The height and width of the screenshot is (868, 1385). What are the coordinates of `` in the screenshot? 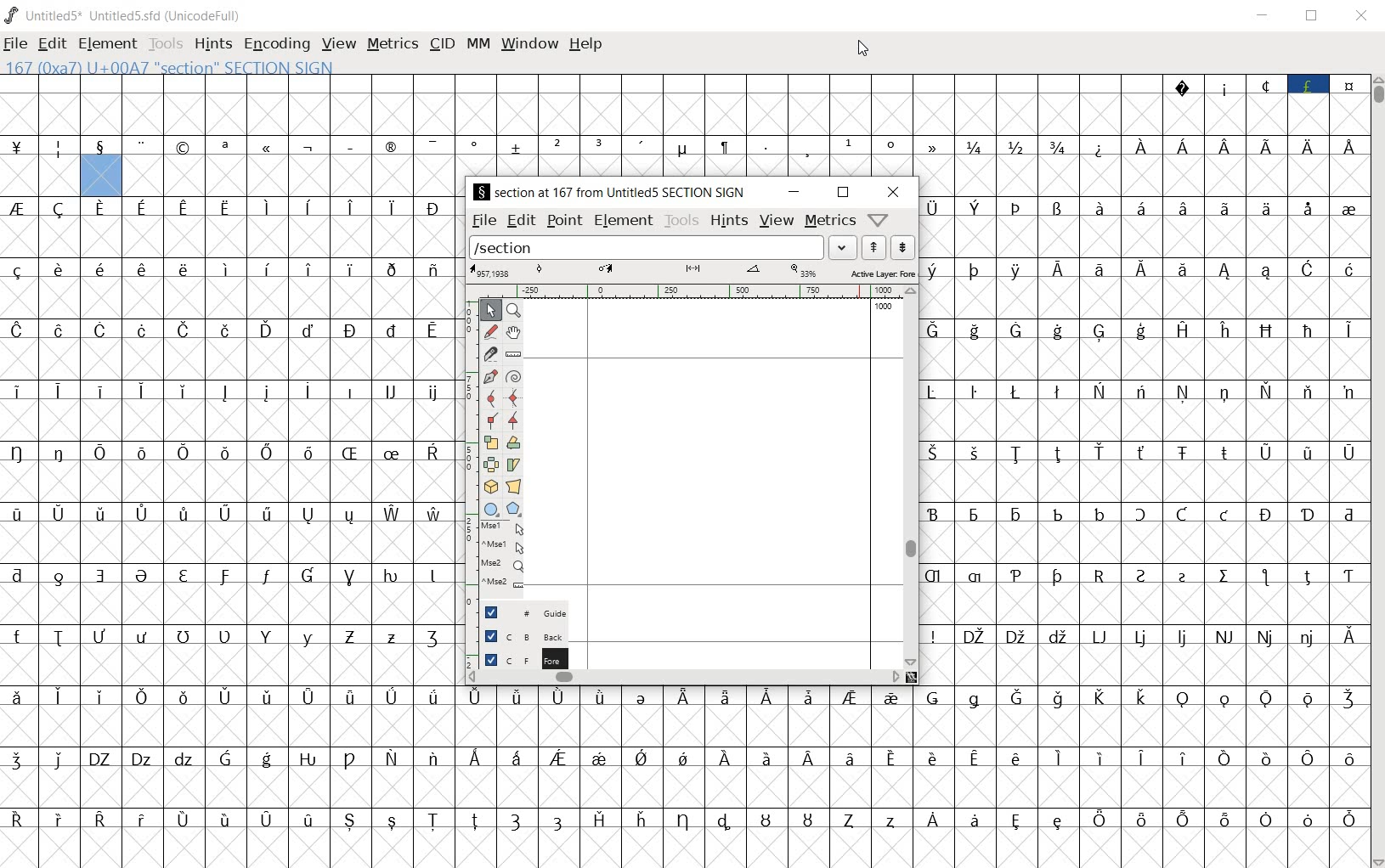 It's located at (232, 388).